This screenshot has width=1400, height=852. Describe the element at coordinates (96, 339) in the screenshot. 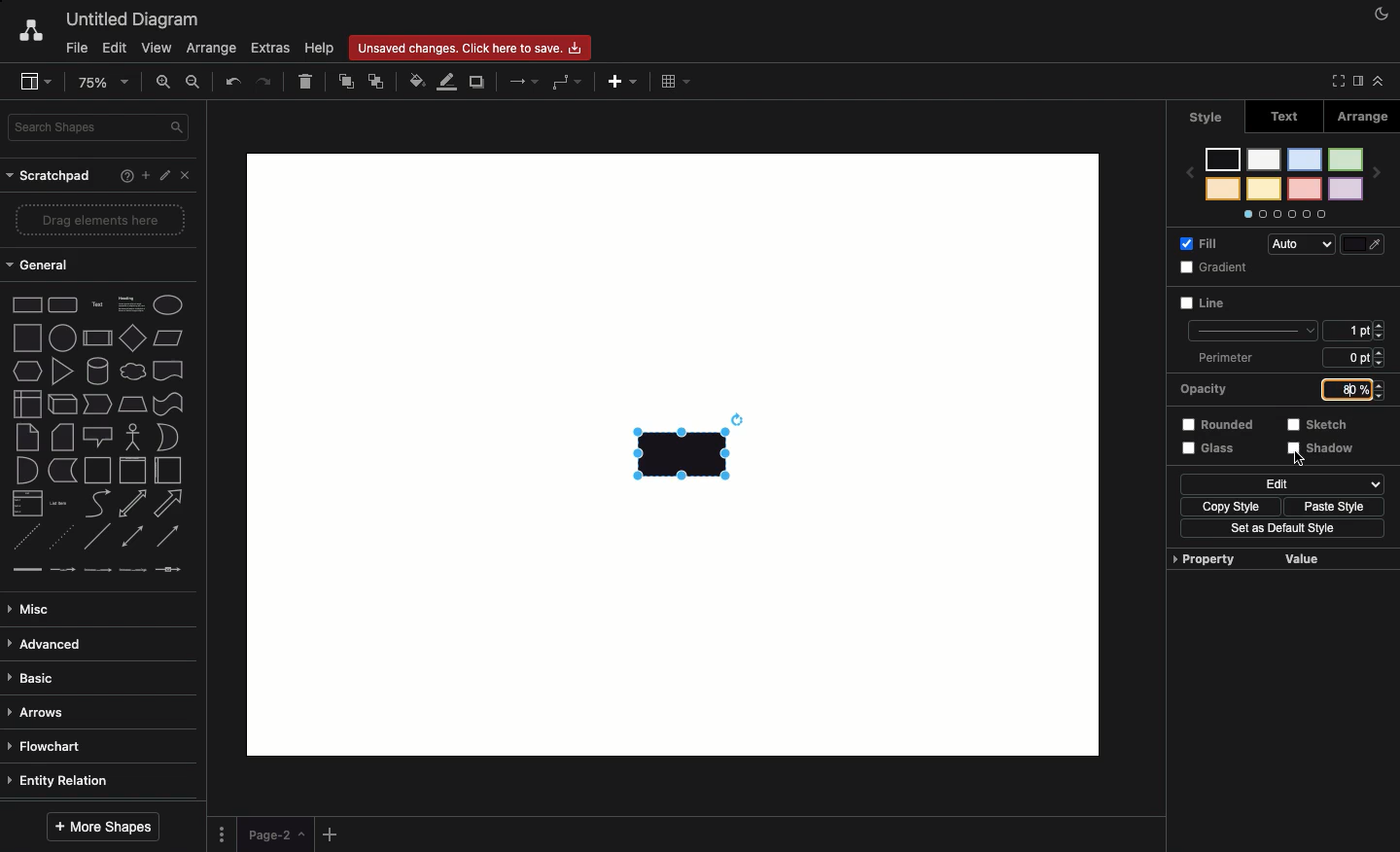

I see `process` at that location.